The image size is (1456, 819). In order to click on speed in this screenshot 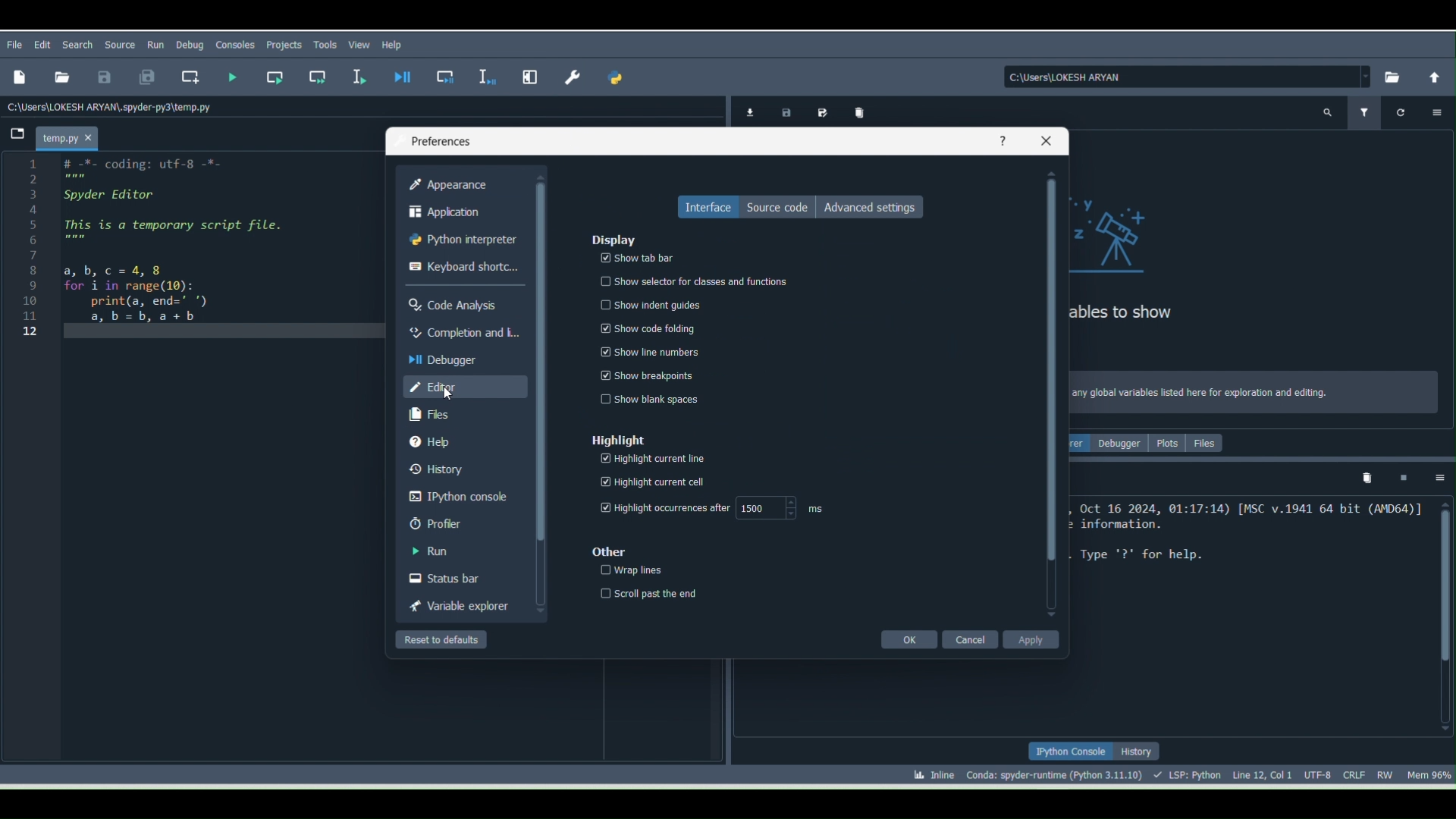, I will do `click(790, 506)`.